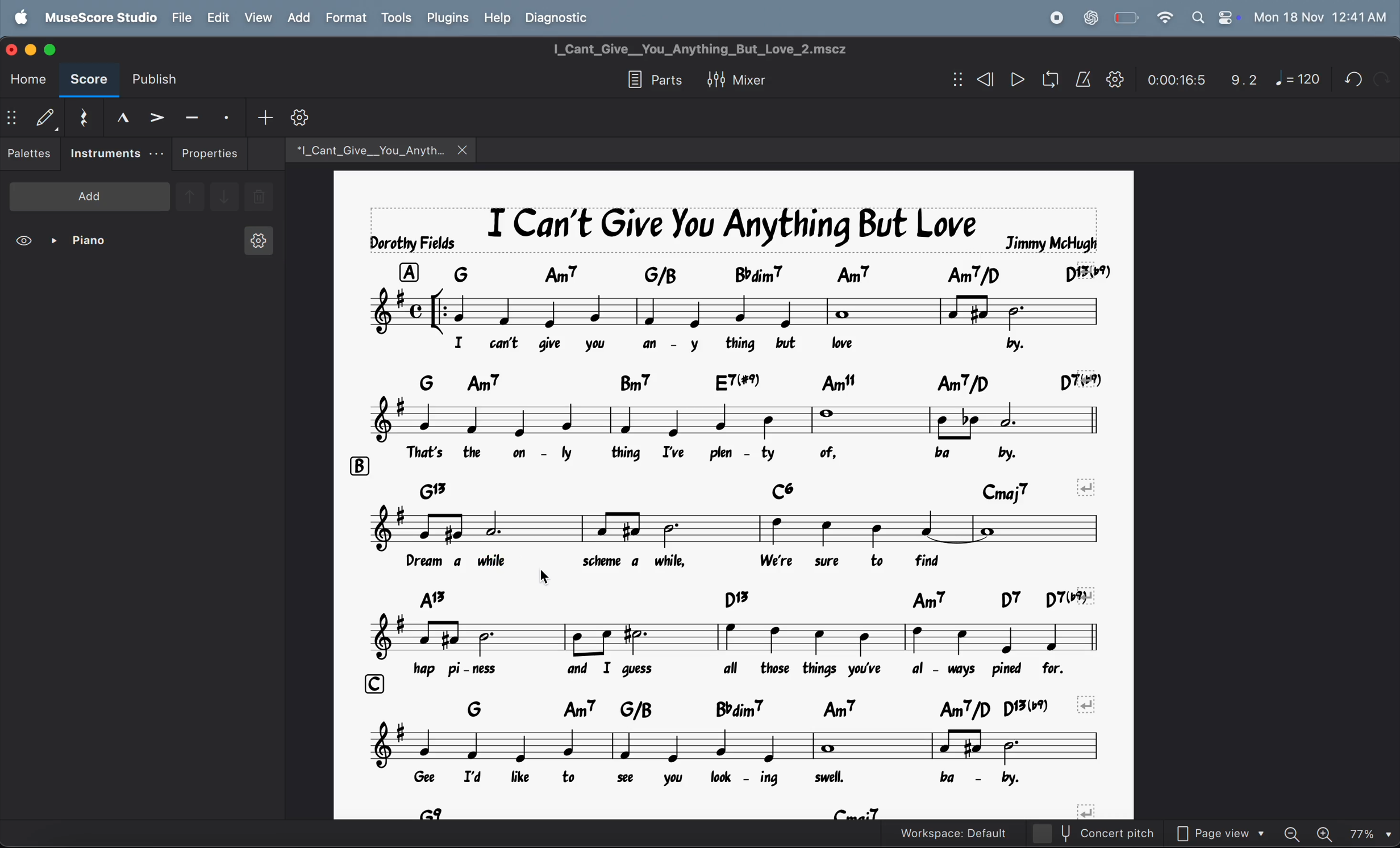 This screenshot has width=1400, height=848. Describe the element at coordinates (412, 244) in the screenshot. I see `dorothy fields` at that location.